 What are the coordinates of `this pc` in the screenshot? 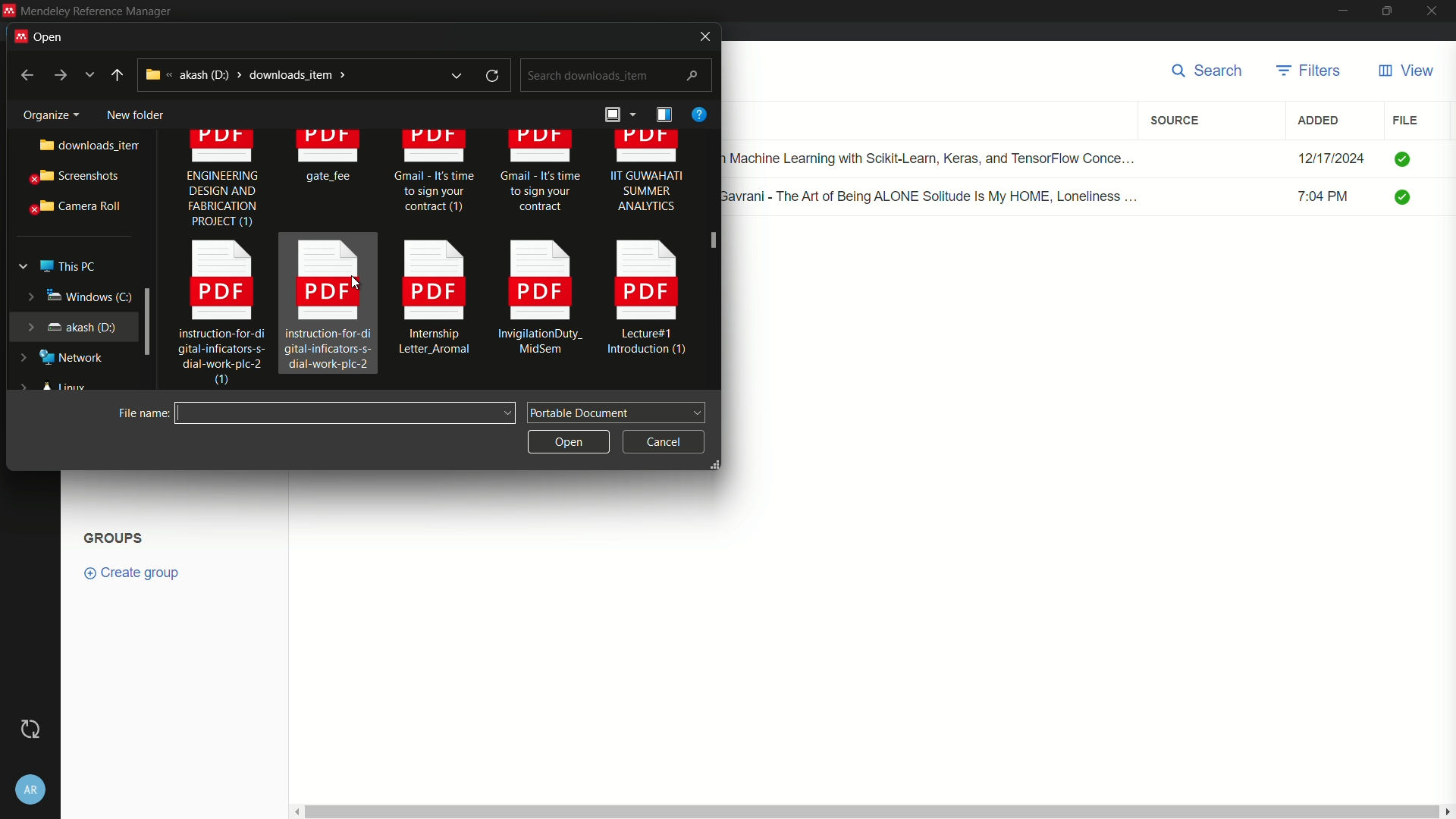 It's located at (67, 263).